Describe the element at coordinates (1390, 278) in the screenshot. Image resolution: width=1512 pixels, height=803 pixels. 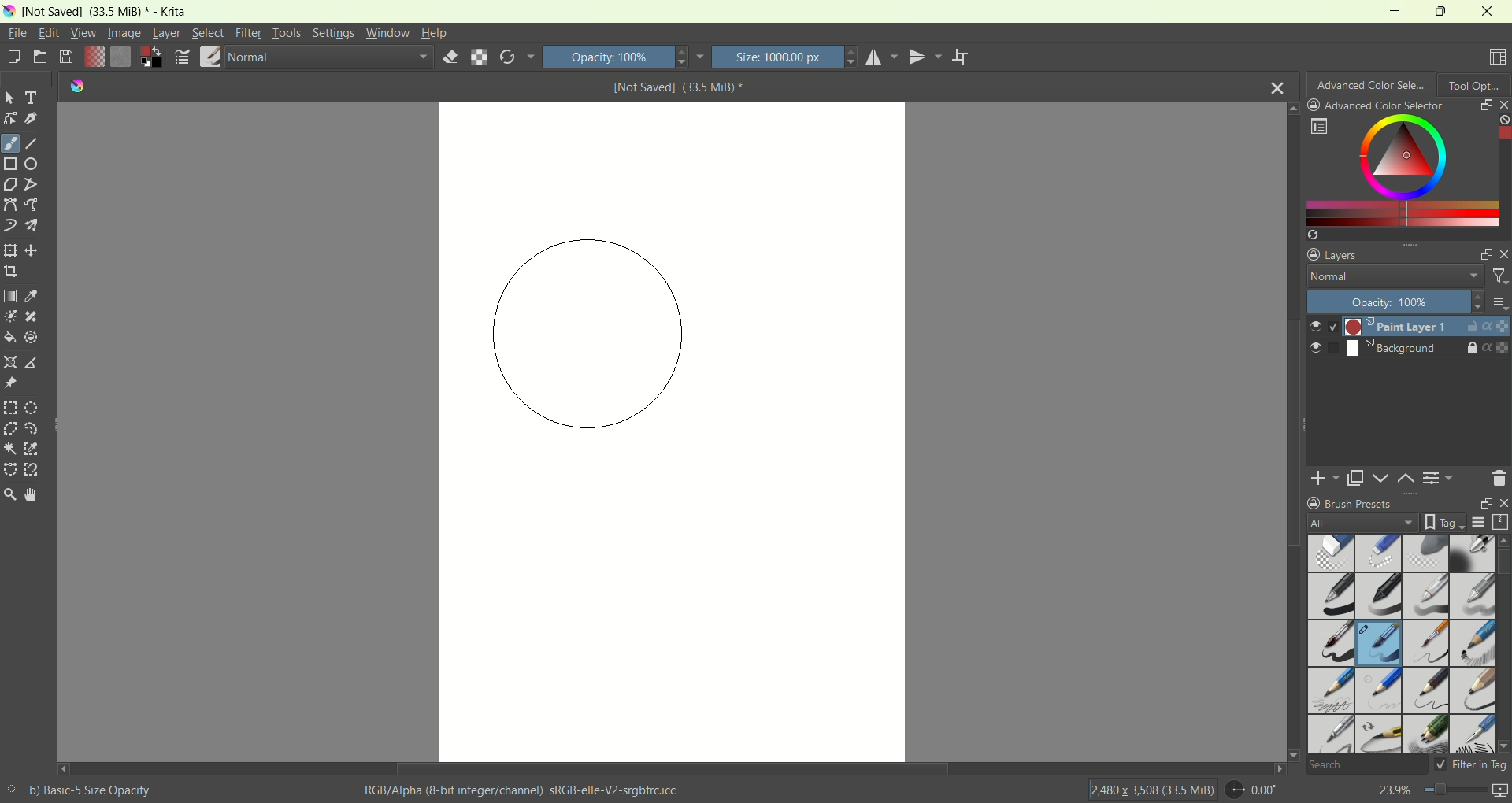
I see `normal` at that location.